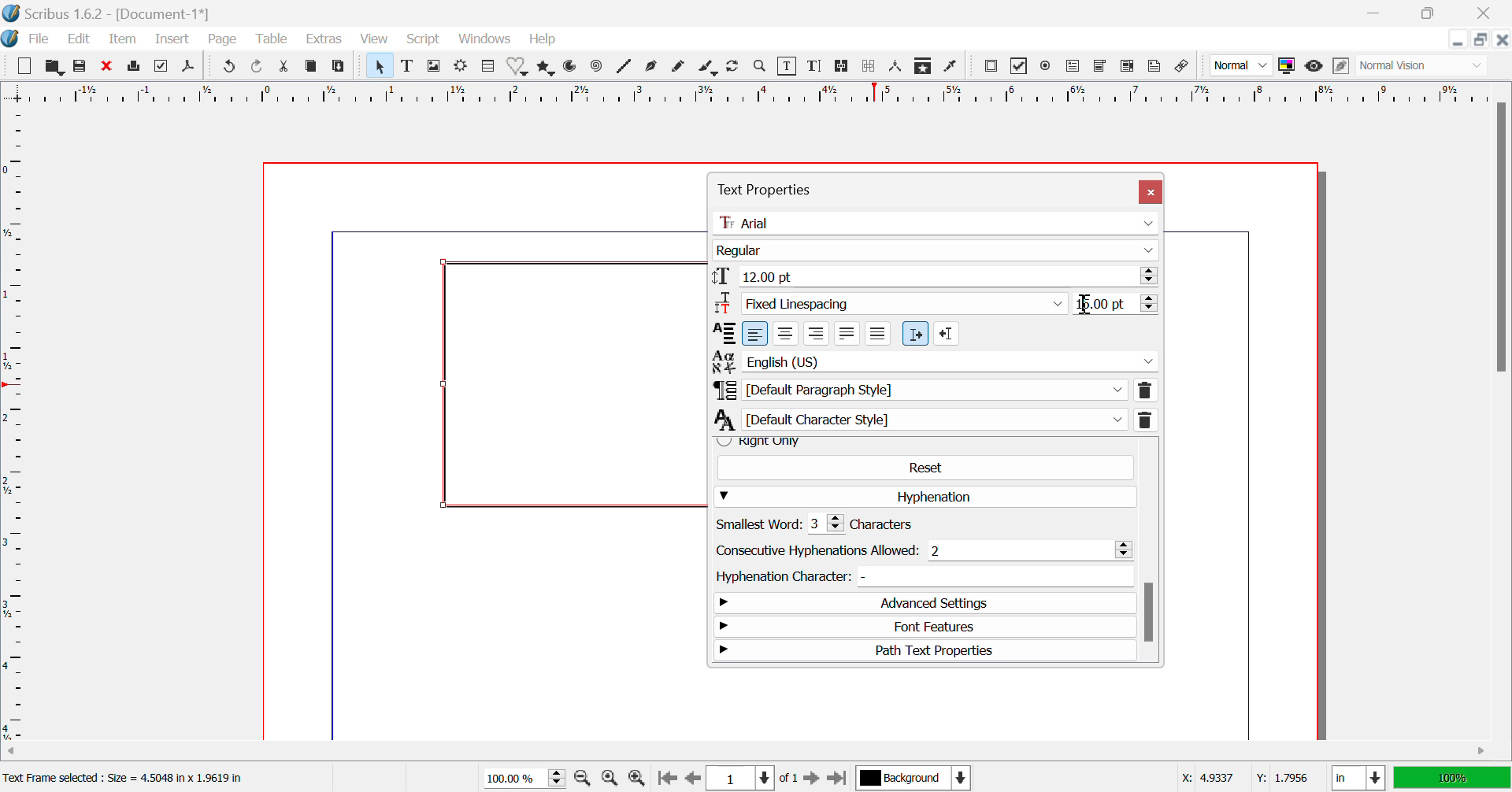 The height and width of the screenshot is (792, 1512). I want to click on Left to right paragraph, so click(915, 334).